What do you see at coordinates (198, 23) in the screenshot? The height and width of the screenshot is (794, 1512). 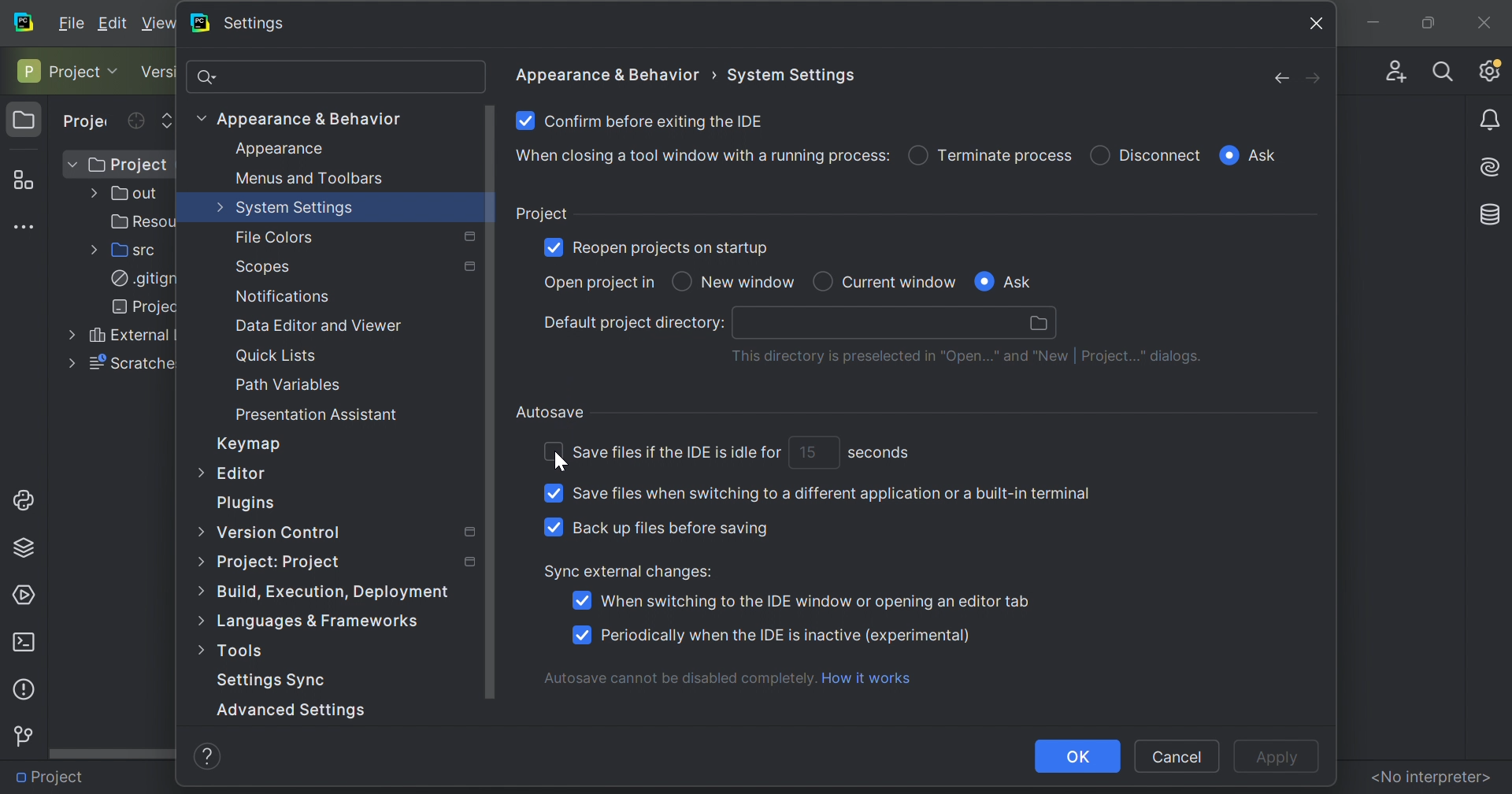 I see `PyCharm` at bounding box center [198, 23].